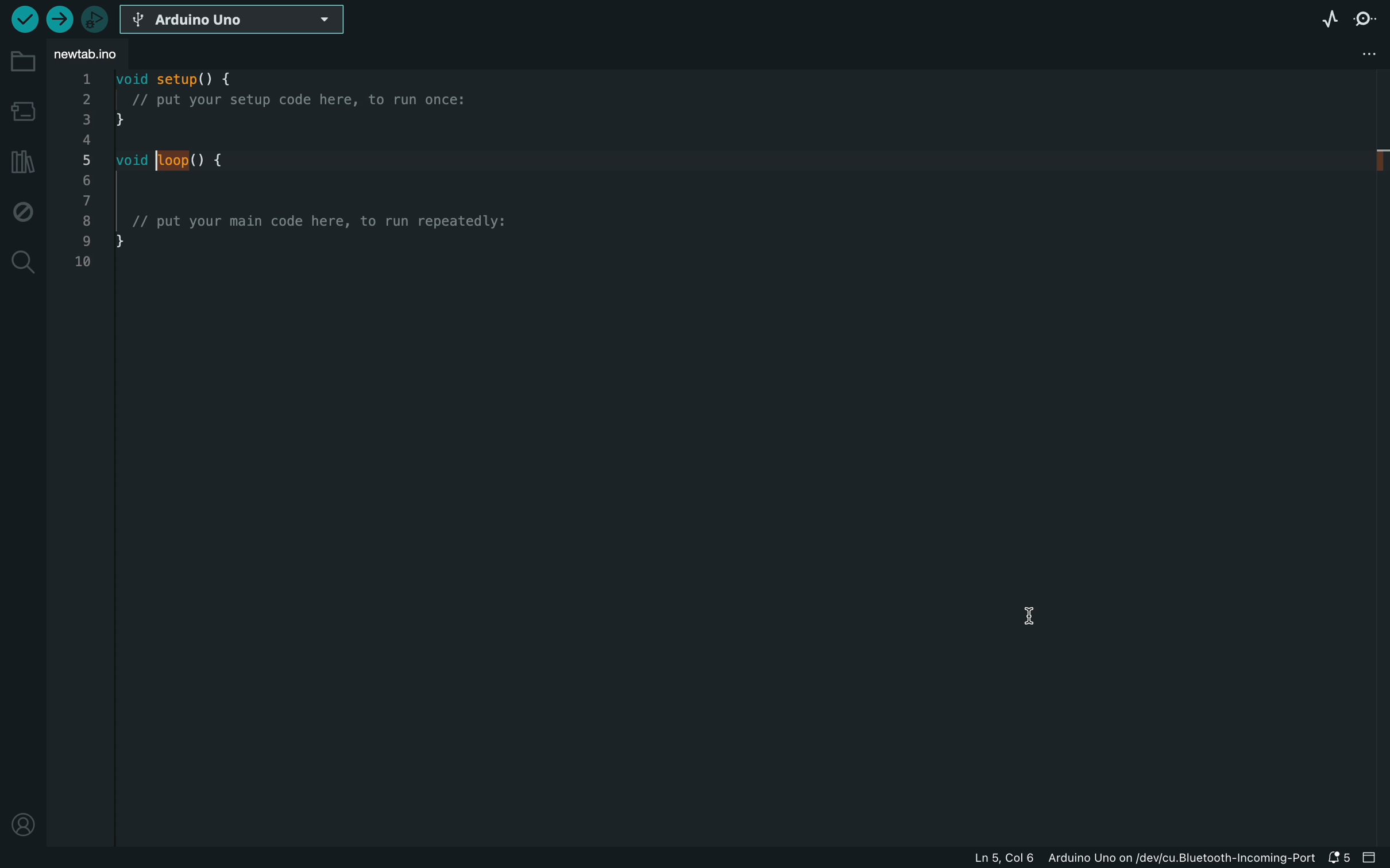 Image resolution: width=1390 pixels, height=868 pixels. What do you see at coordinates (98, 56) in the screenshot?
I see `newtab .ino` at bounding box center [98, 56].